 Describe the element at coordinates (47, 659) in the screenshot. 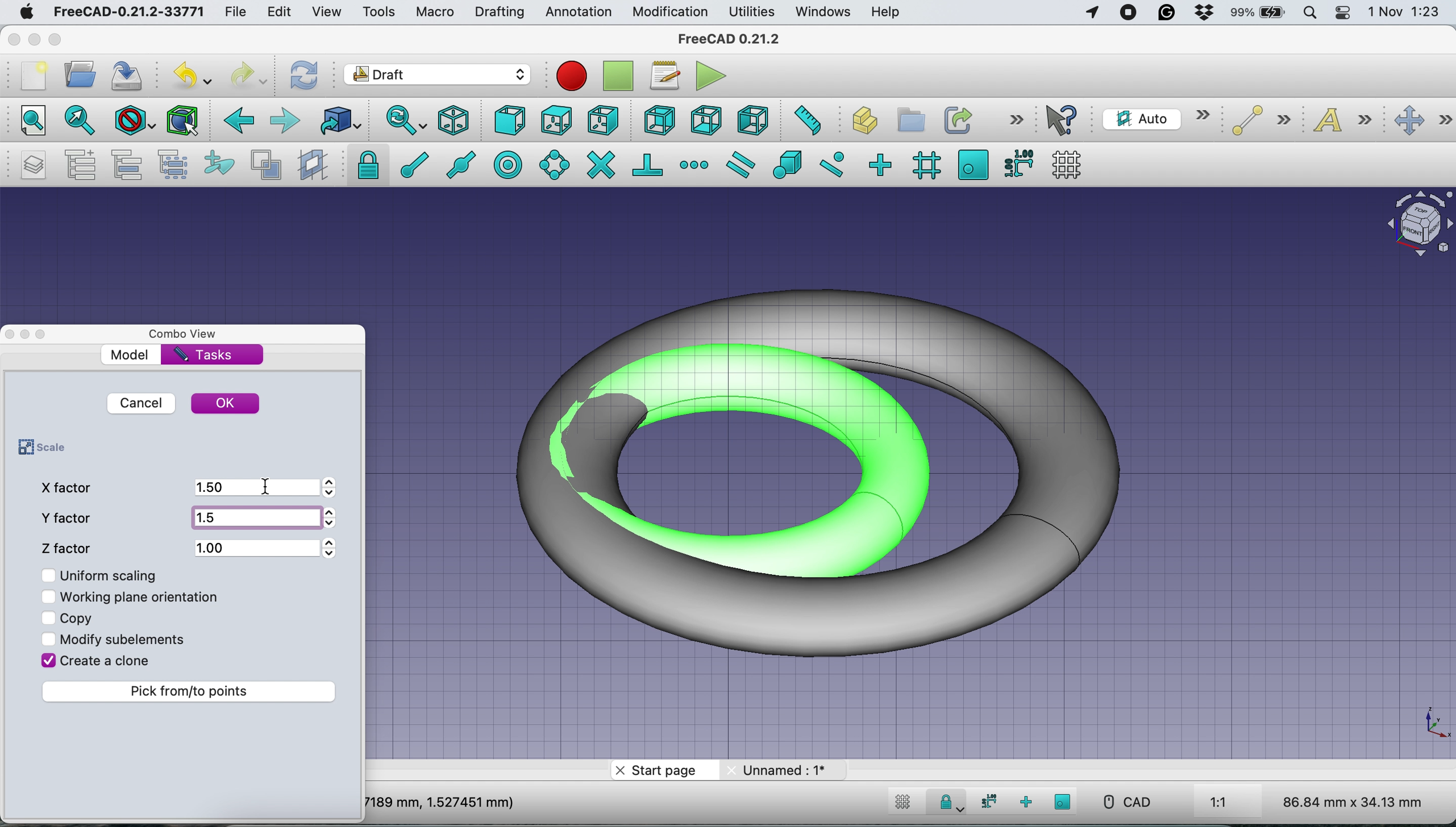

I see `Checkbox` at that location.